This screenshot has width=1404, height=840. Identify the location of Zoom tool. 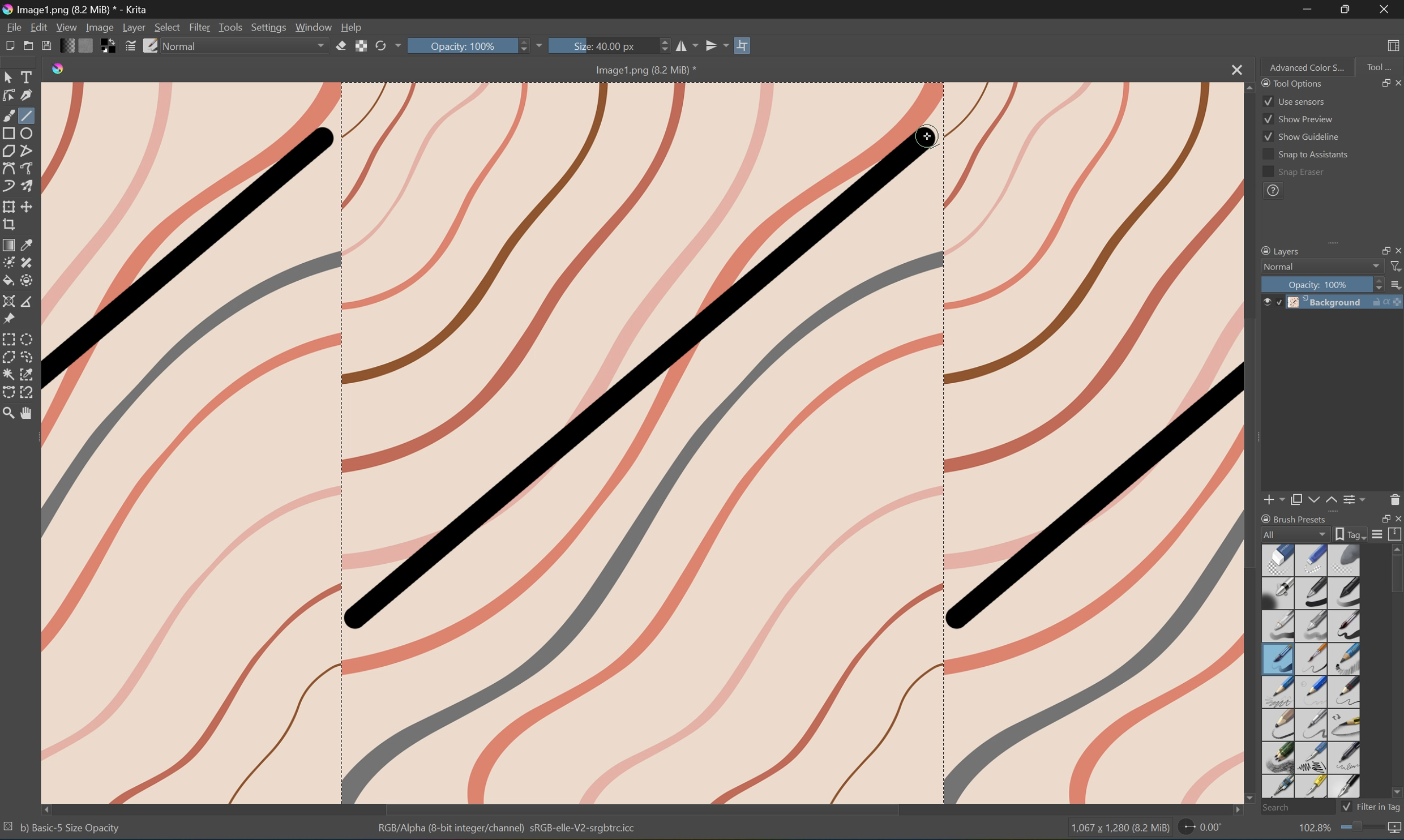
(9, 413).